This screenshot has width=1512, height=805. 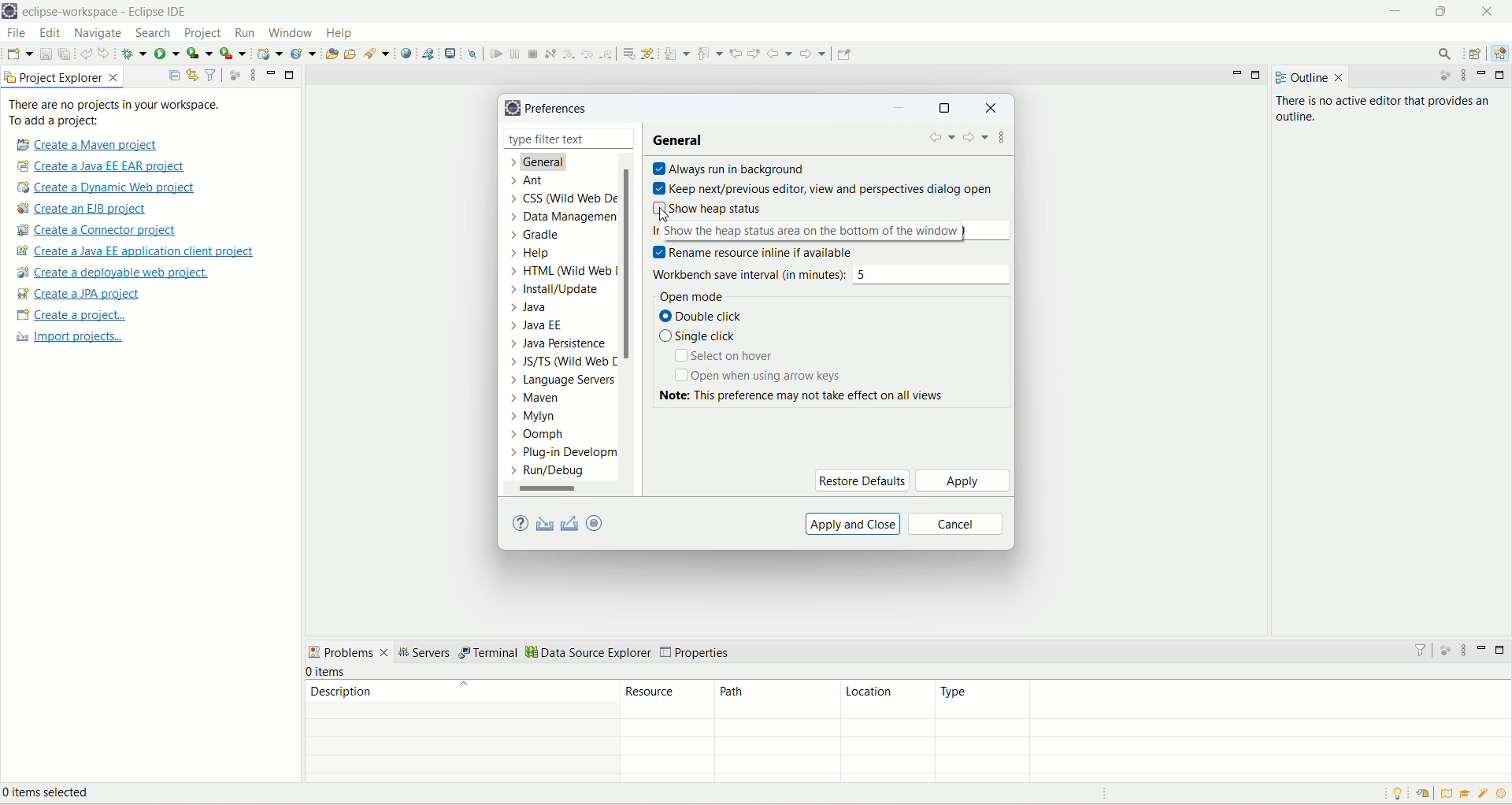 What do you see at coordinates (537, 325) in the screenshot?
I see `Java EE` at bounding box center [537, 325].